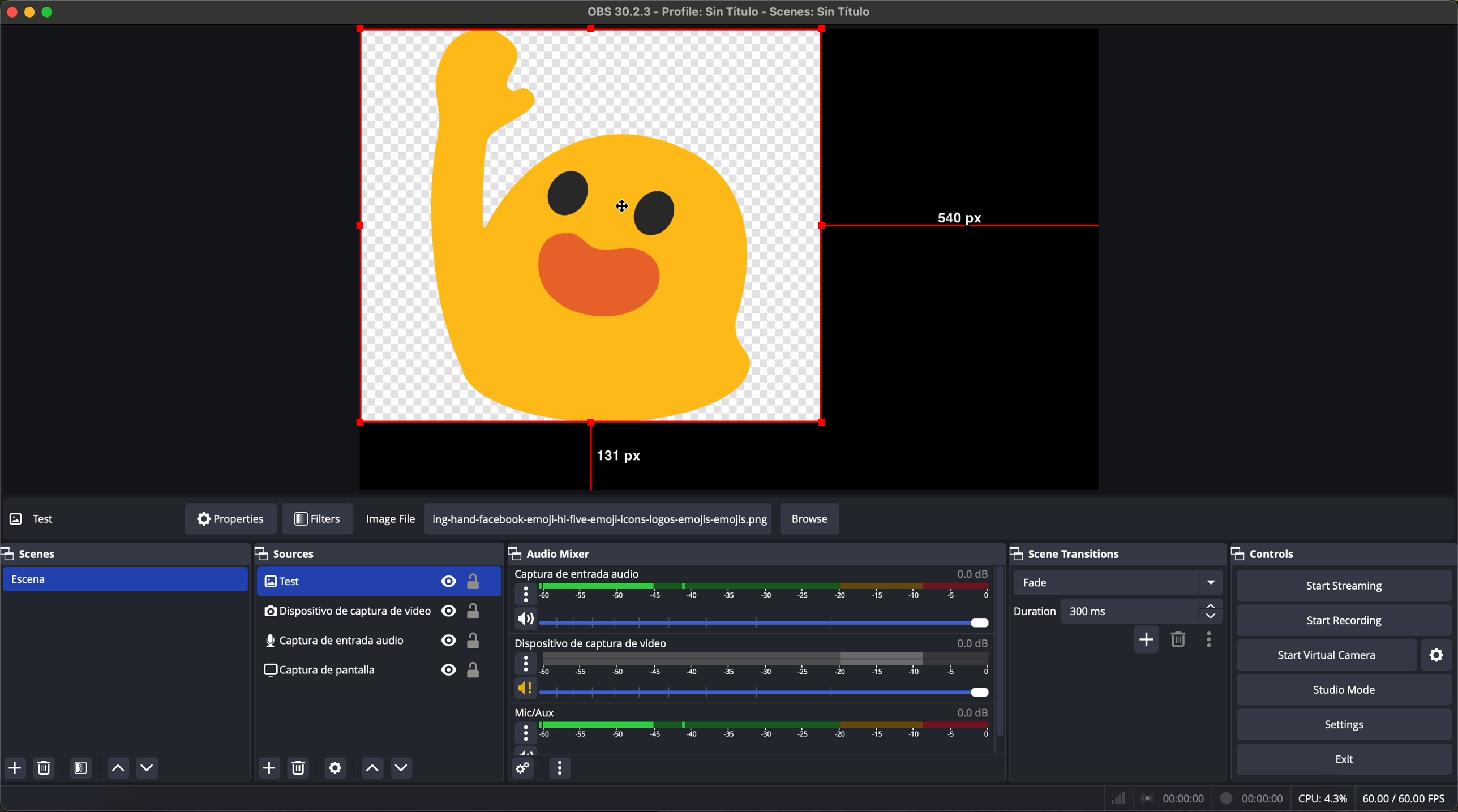 This screenshot has height=812, width=1458. What do you see at coordinates (393, 519) in the screenshot?
I see `image file` at bounding box center [393, 519].